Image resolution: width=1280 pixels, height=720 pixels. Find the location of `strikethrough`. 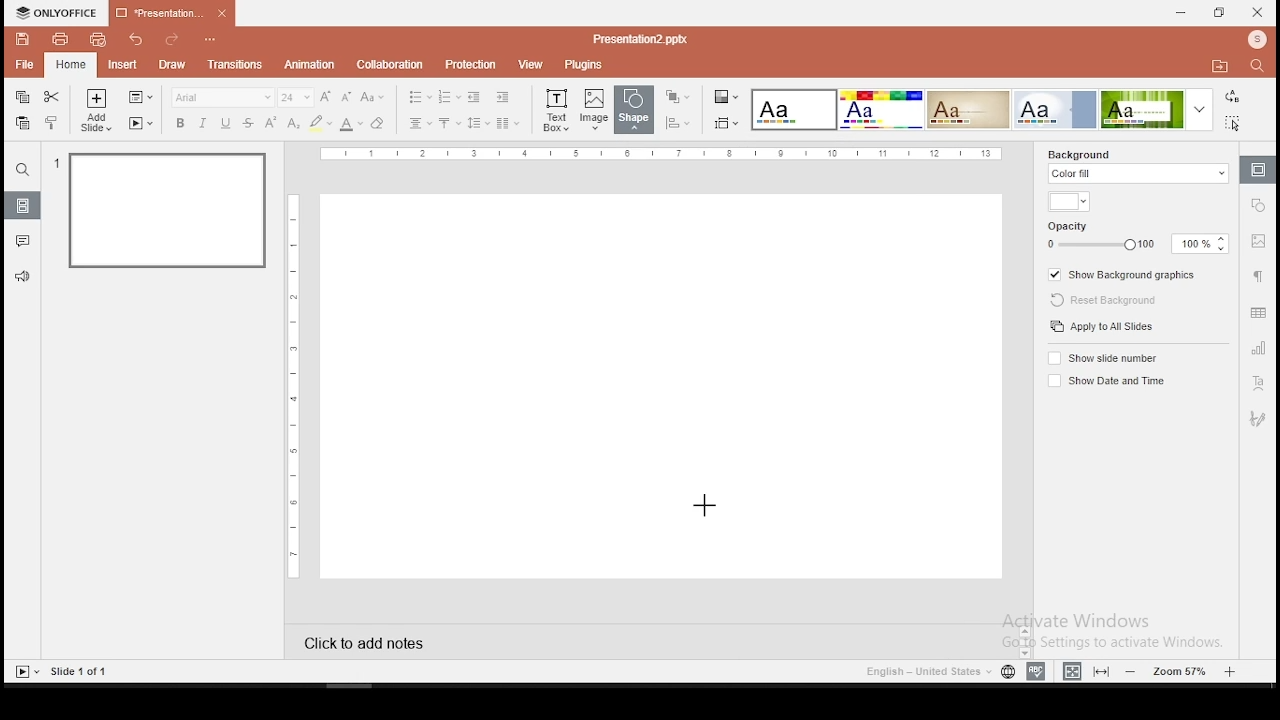

strikethrough is located at coordinates (248, 123).